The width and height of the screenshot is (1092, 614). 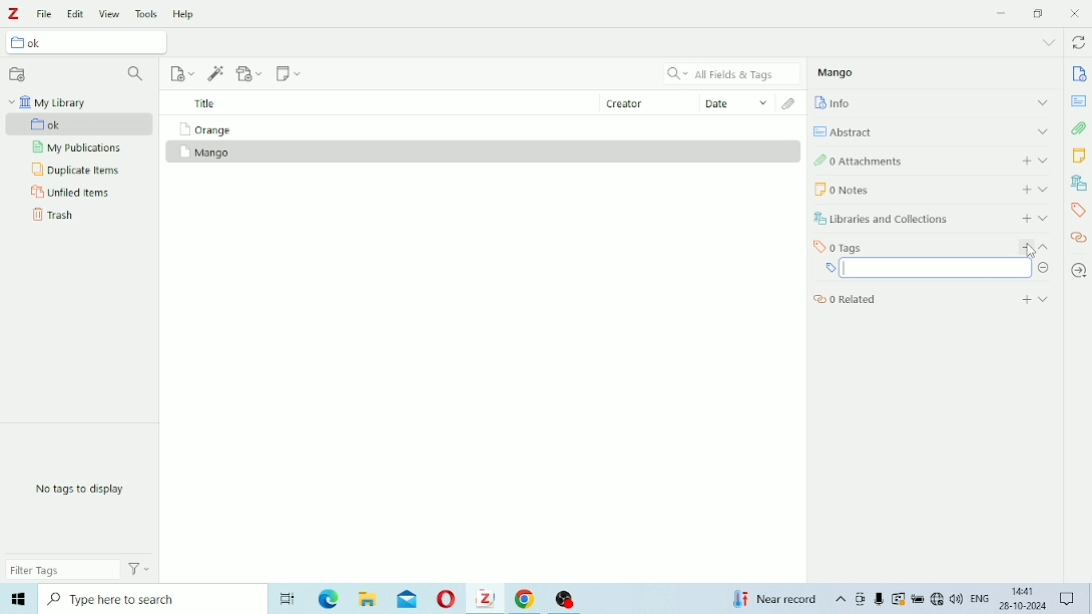 I want to click on Mango, so click(x=838, y=72).